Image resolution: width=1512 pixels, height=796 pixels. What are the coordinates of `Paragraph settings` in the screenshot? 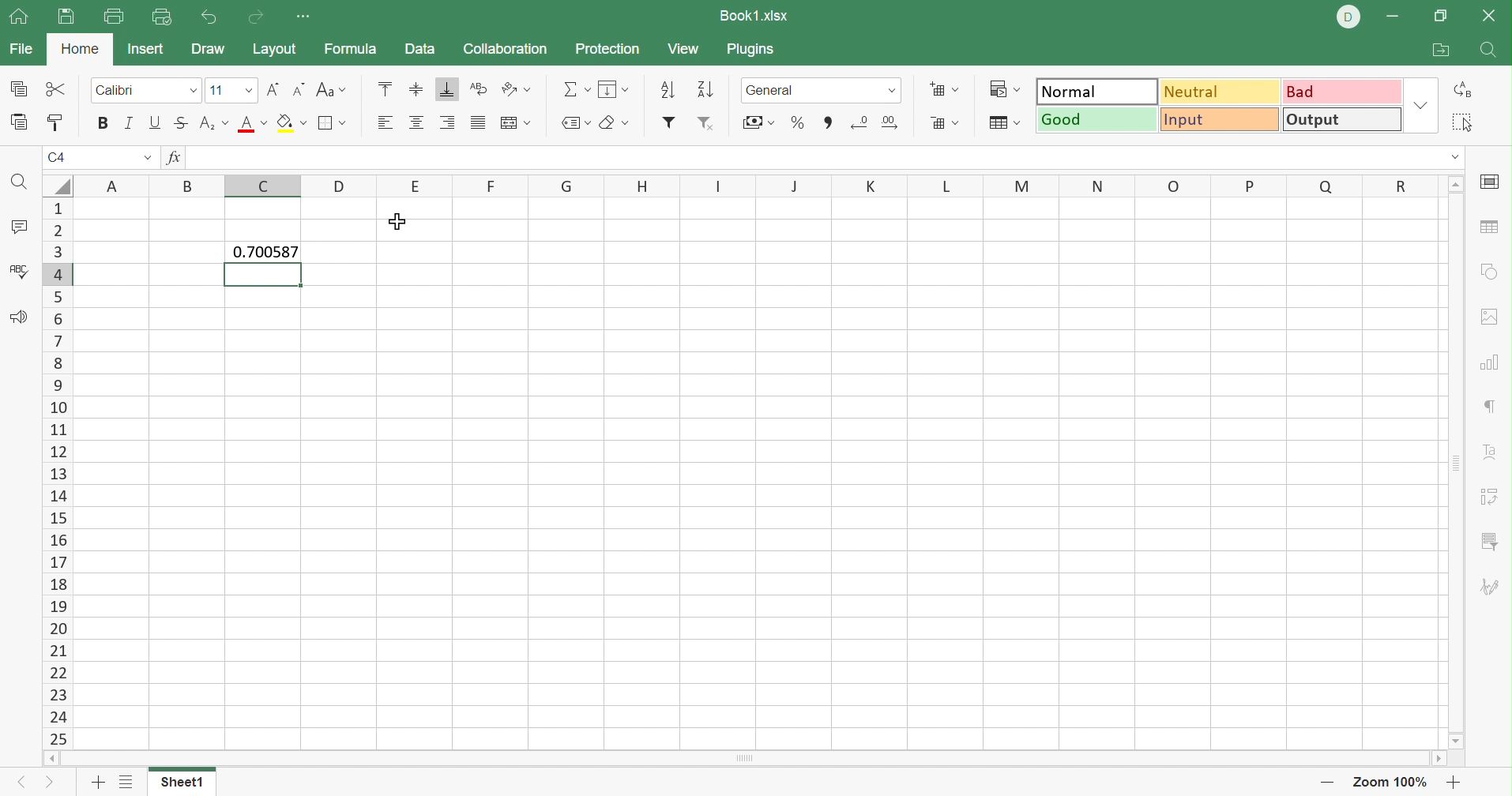 It's located at (1491, 405).